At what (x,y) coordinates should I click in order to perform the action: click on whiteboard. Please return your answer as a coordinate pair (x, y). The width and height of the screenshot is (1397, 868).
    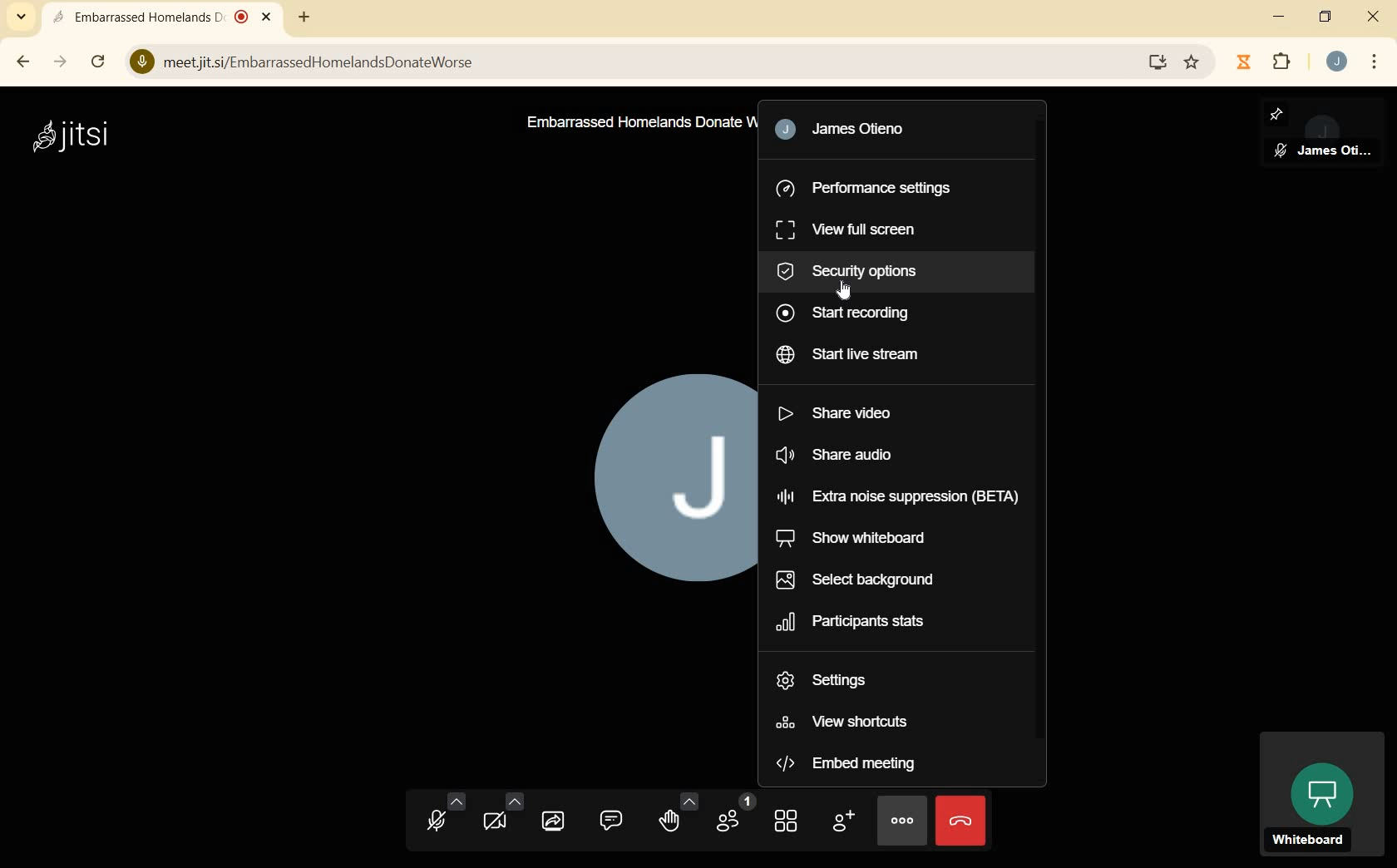
    Looking at the image, I should click on (1320, 796).